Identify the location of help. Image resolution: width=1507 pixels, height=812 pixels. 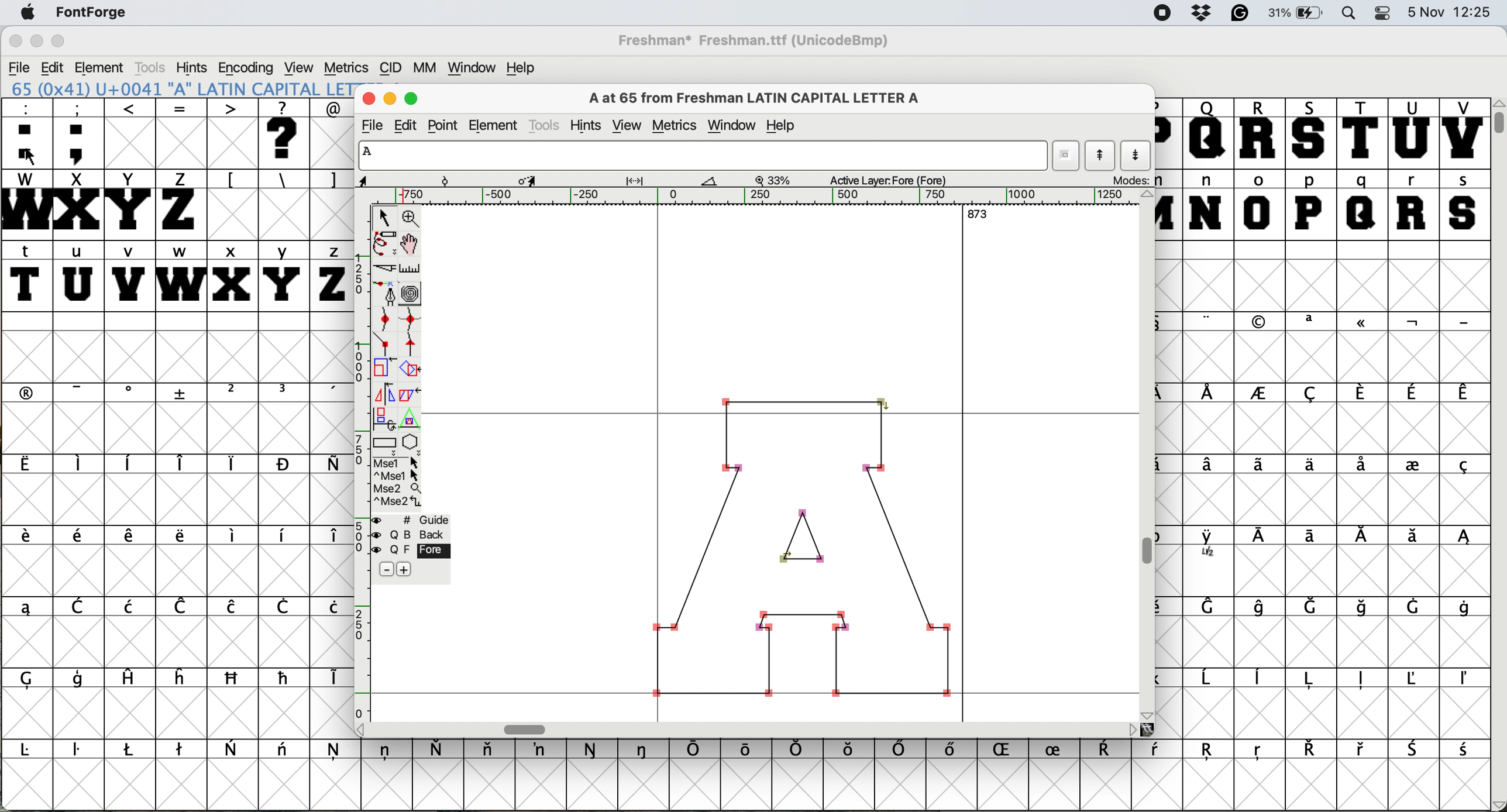
(783, 127).